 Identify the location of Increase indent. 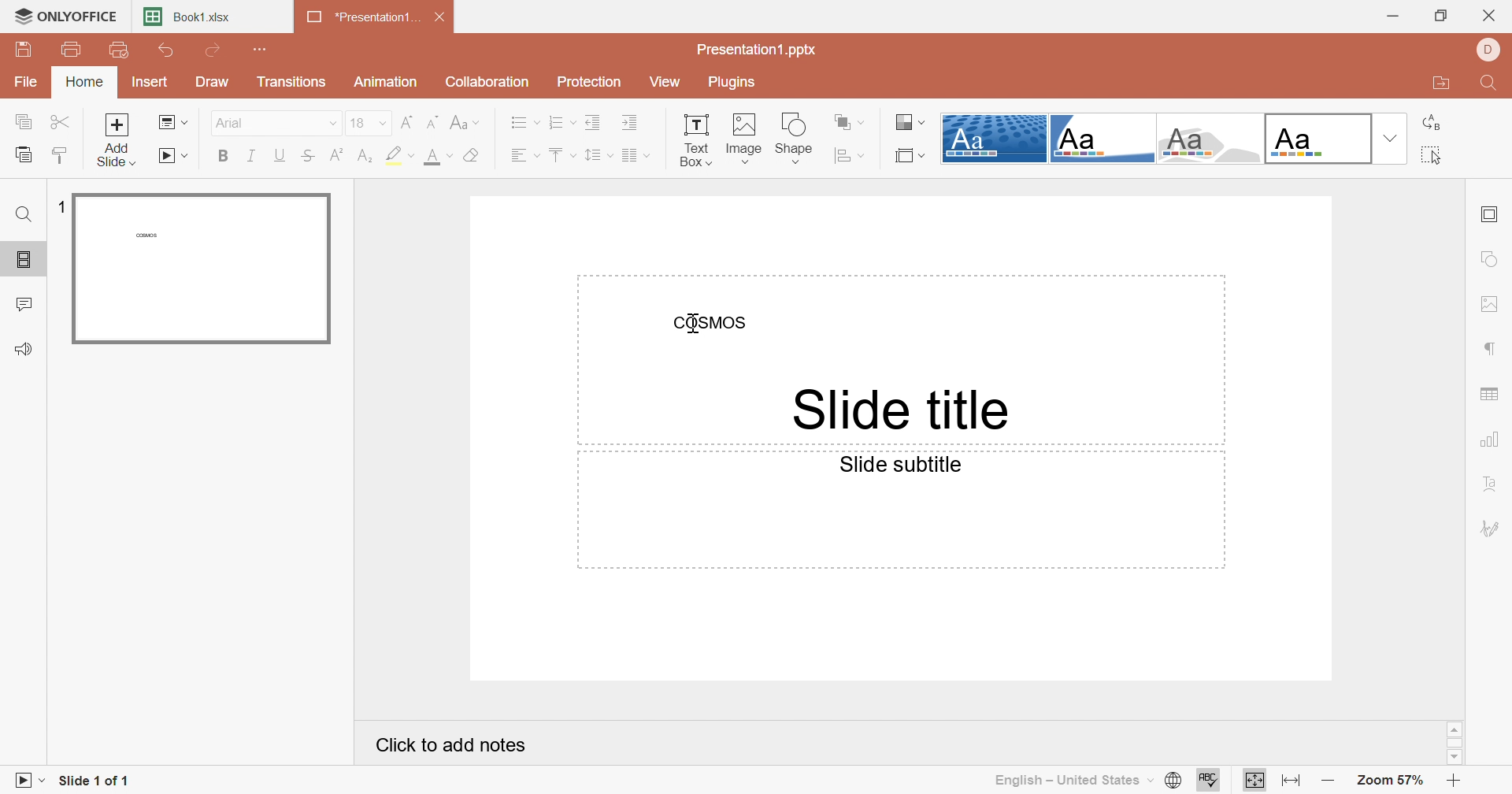
(627, 122).